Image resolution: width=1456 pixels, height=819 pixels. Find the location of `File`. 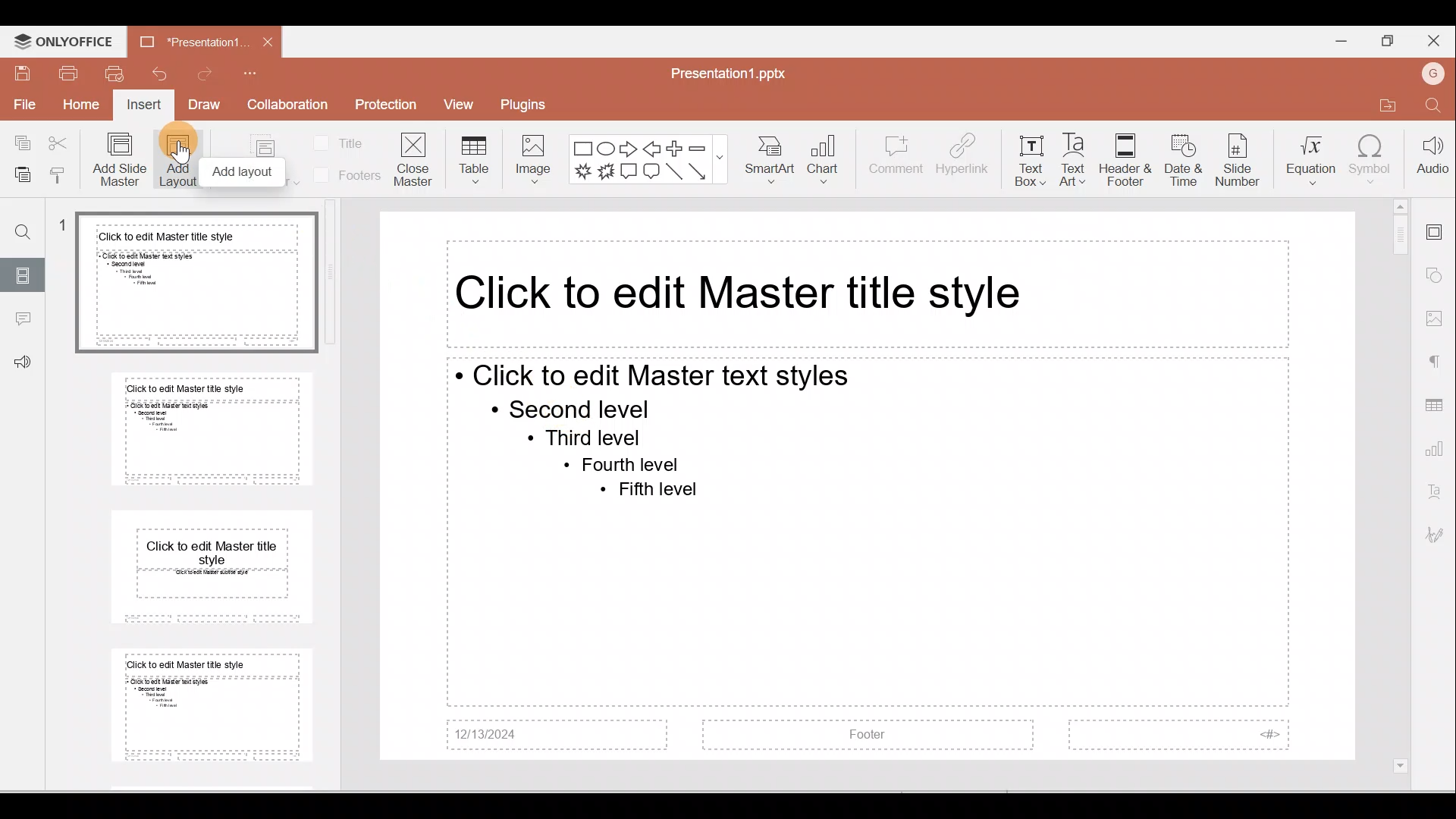

File is located at coordinates (23, 106).